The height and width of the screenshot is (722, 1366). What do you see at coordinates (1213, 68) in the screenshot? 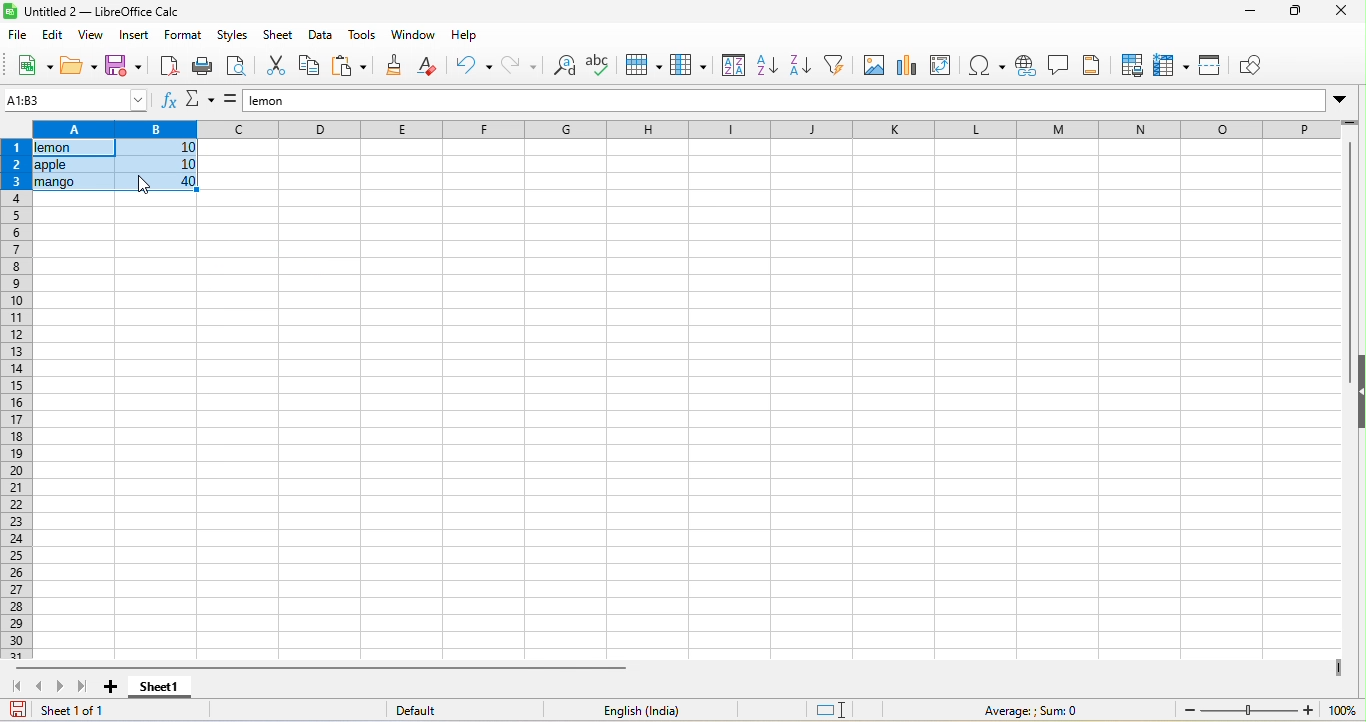
I see `split window` at bounding box center [1213, 68].